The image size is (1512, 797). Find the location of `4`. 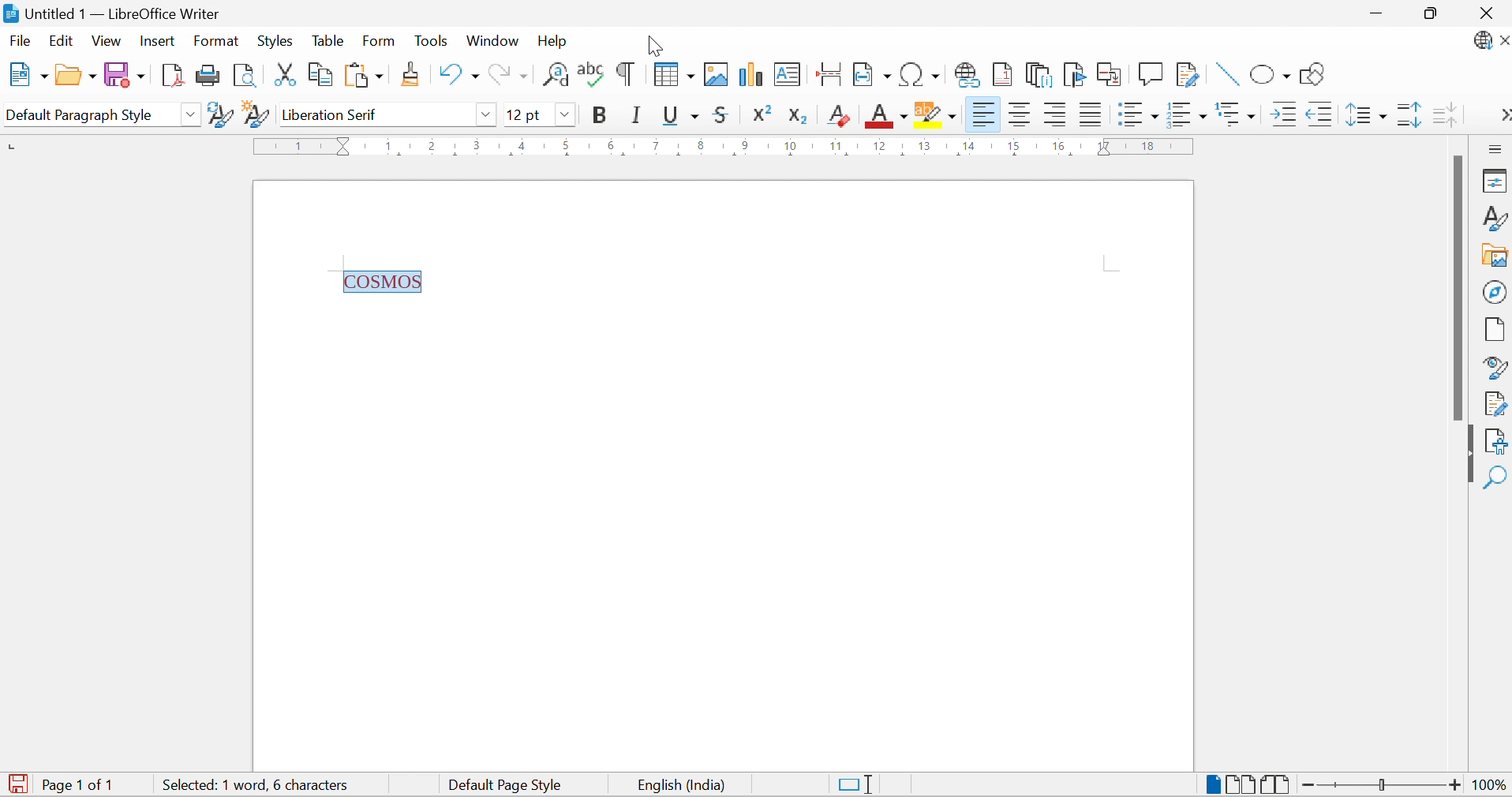

4 is located at coordinates (523, 145).